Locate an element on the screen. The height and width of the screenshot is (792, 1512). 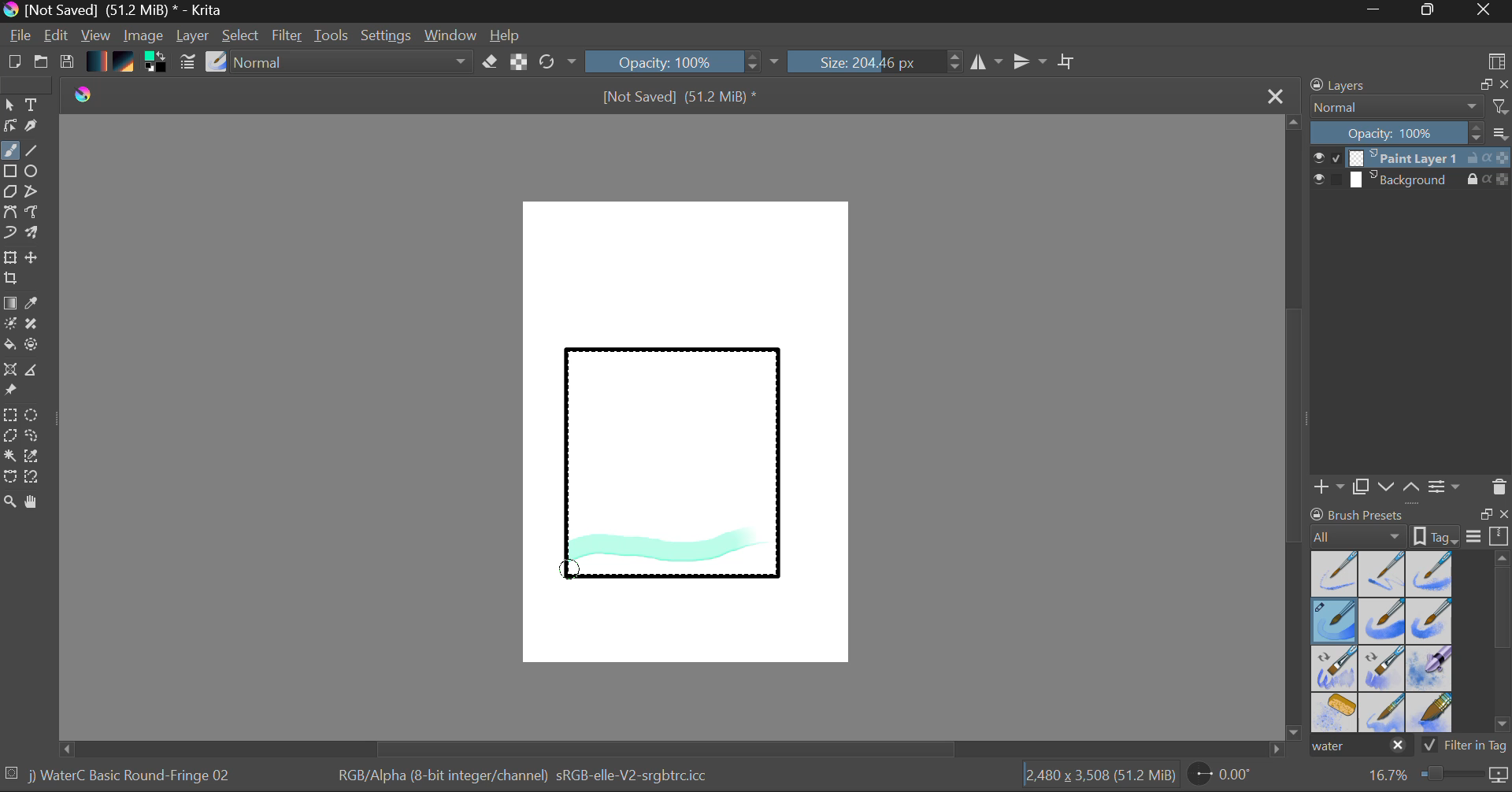
Move Layer Up is located at coordinates (1412, 486).